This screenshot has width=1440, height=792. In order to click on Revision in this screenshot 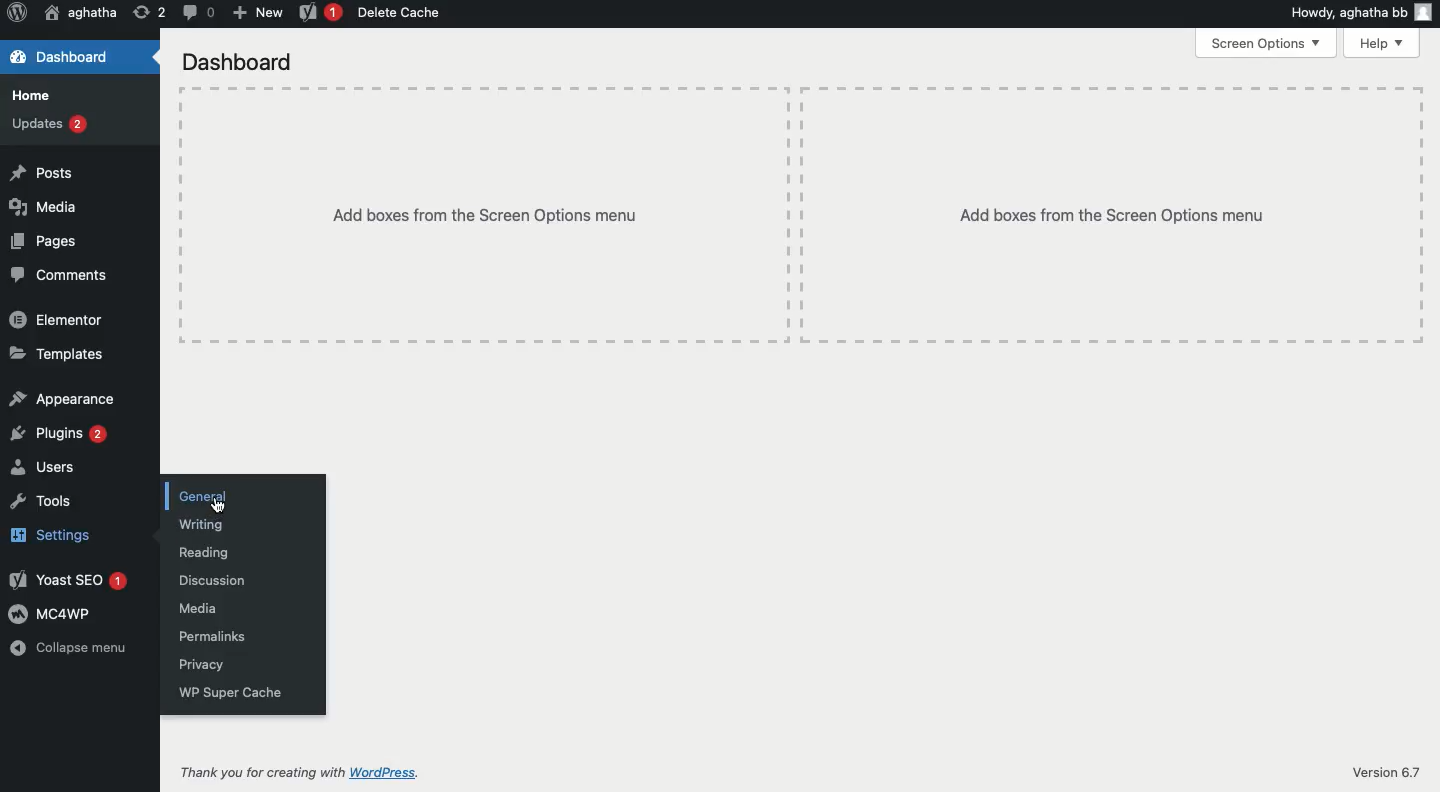, I will do `click(145, 14)`.